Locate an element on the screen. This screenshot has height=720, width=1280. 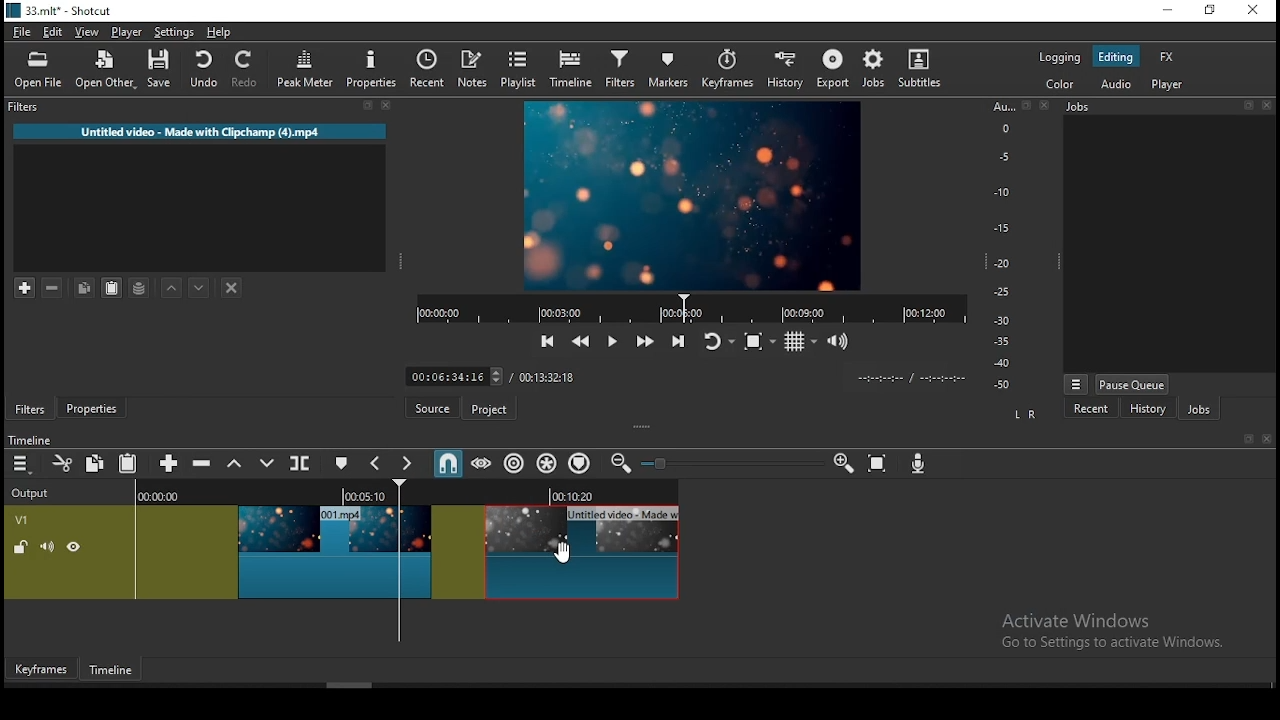
toggle player looping is located at coordinates (716, 343).